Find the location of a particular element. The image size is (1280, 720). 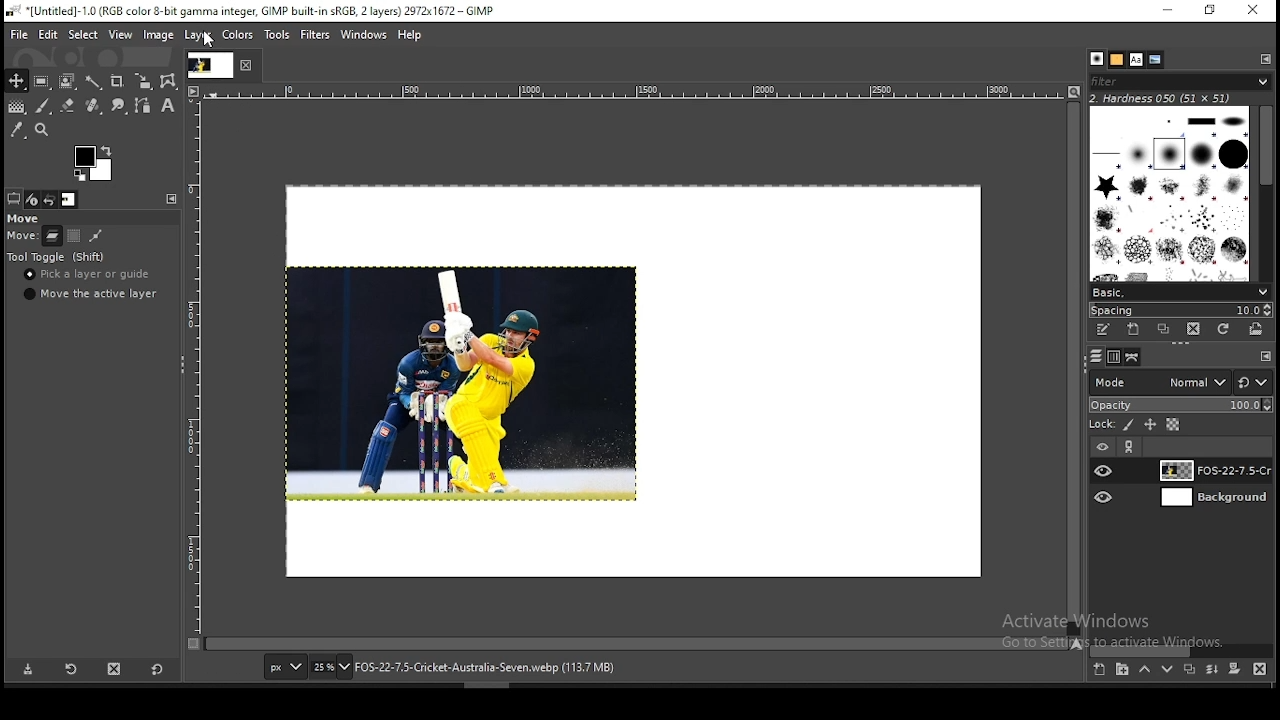

open brush as image is located at coordinates (1258, 329).